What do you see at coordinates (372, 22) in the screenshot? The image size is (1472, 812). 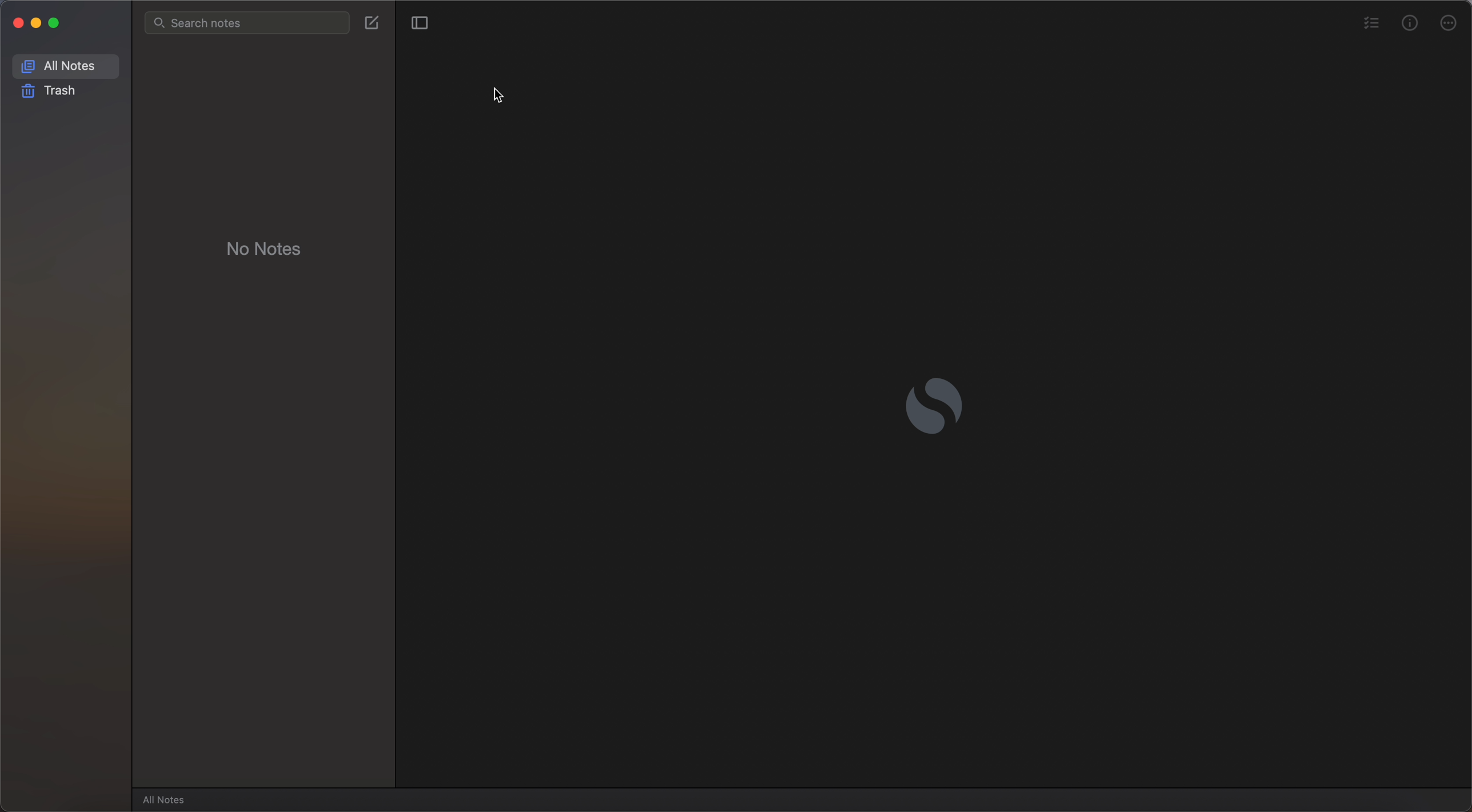 I see `create note` at bounding box center [372, 22].